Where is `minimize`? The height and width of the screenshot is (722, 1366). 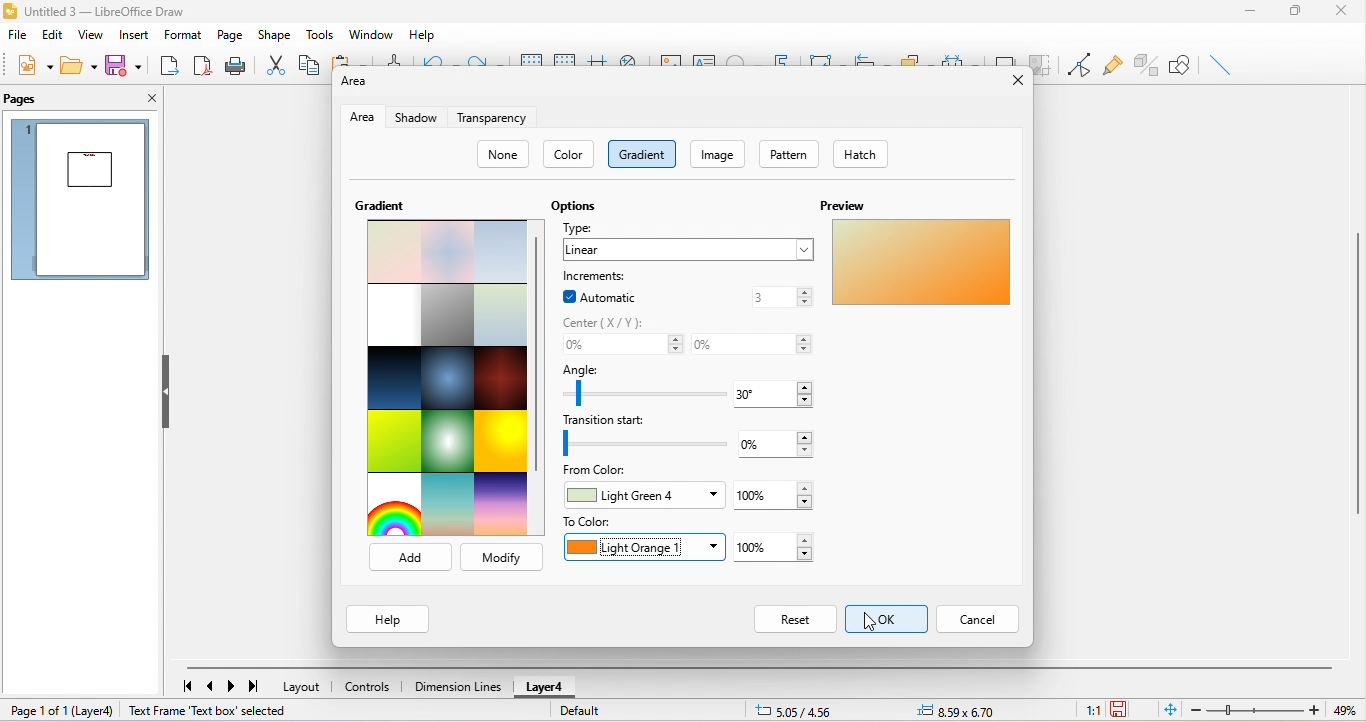
minimize is located at coordinates (1253, 11).